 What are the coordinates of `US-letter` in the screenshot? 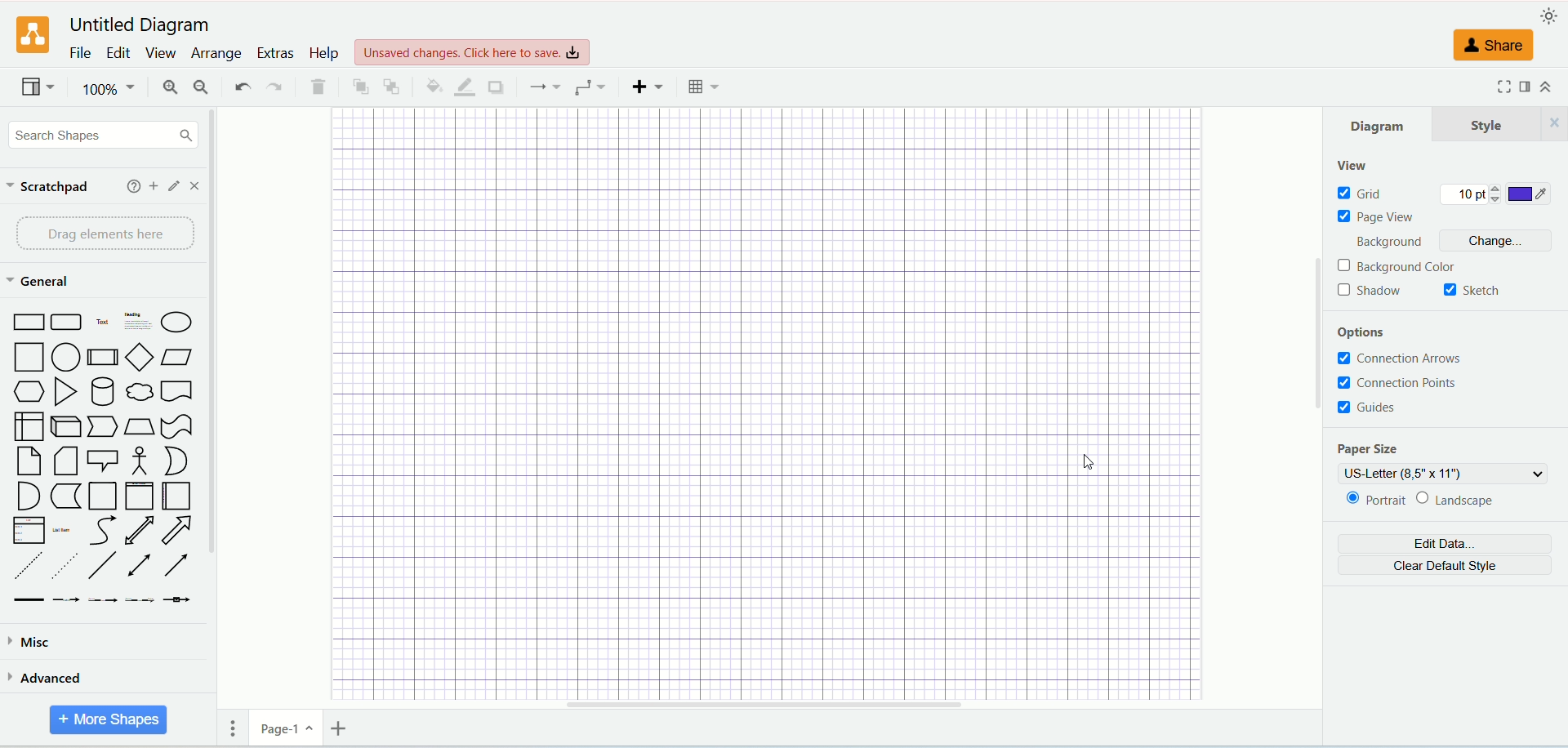 It's located at (1446, 473).